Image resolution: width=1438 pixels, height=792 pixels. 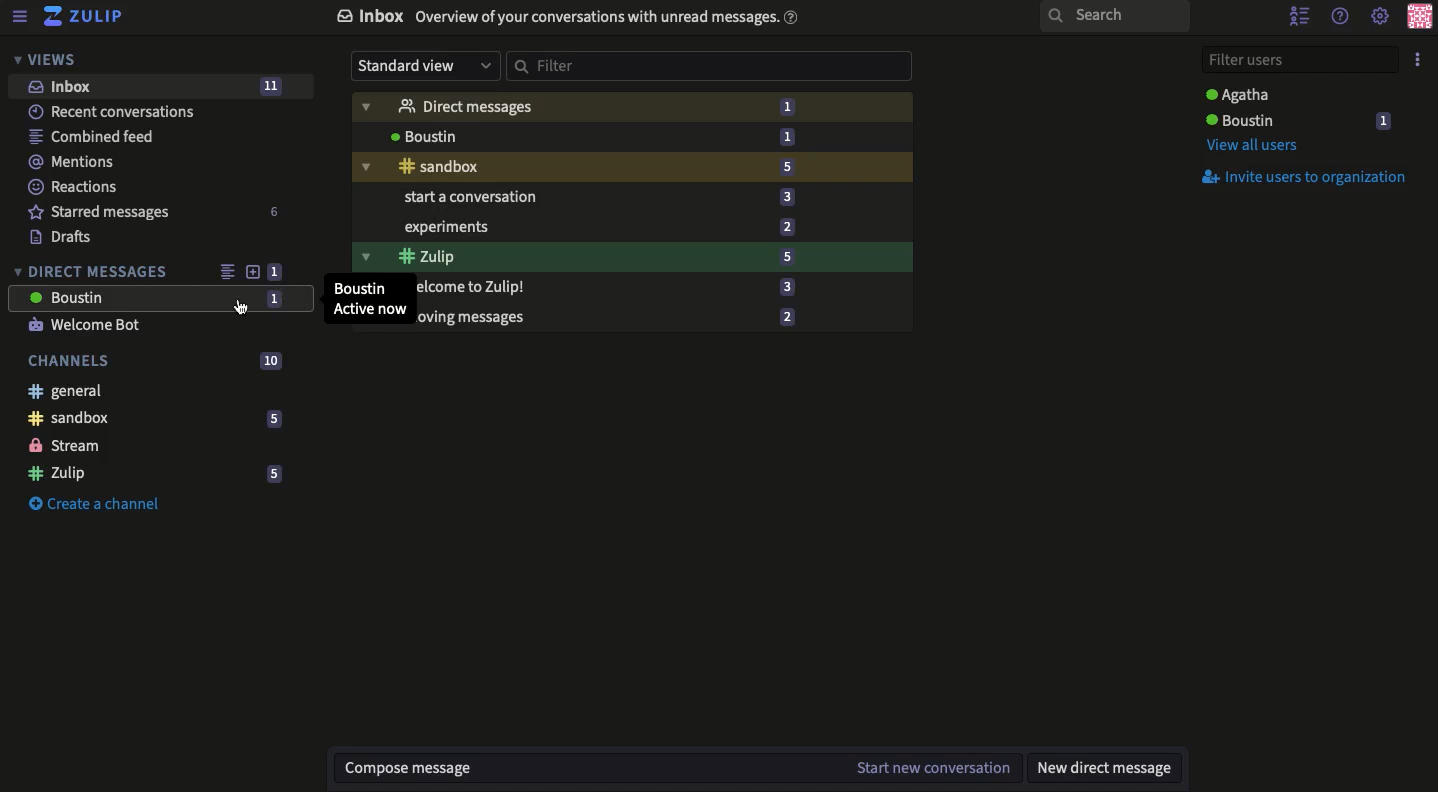 What do you see at coordinates (95, 139) in the screenshot?
I see `Combined feed` at bounding box center [95, 139].